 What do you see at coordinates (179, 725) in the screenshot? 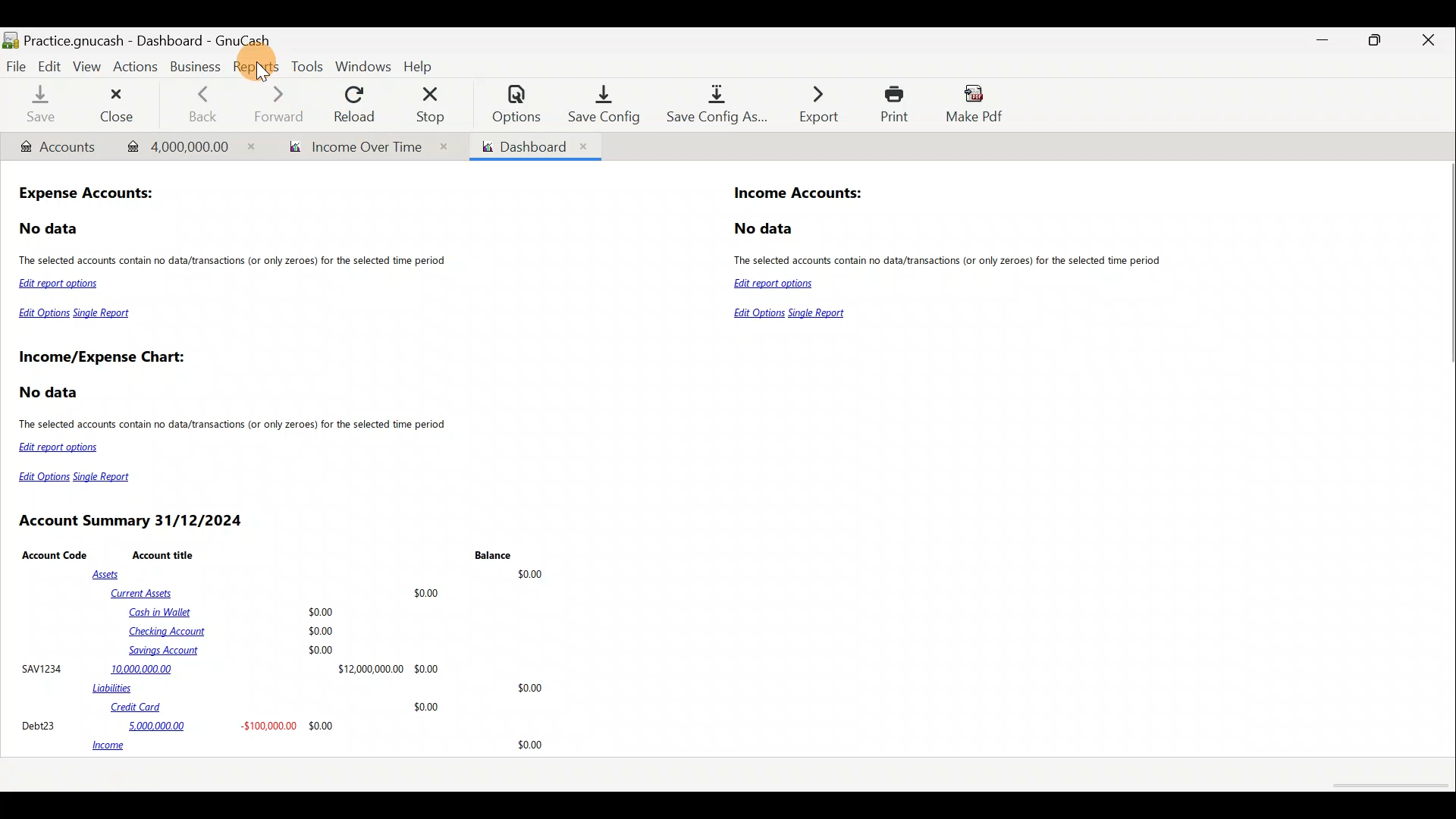
I see `Debt23 5,000,000.00 -$100,000.00 $0.00` at bounding box center [179, 725].